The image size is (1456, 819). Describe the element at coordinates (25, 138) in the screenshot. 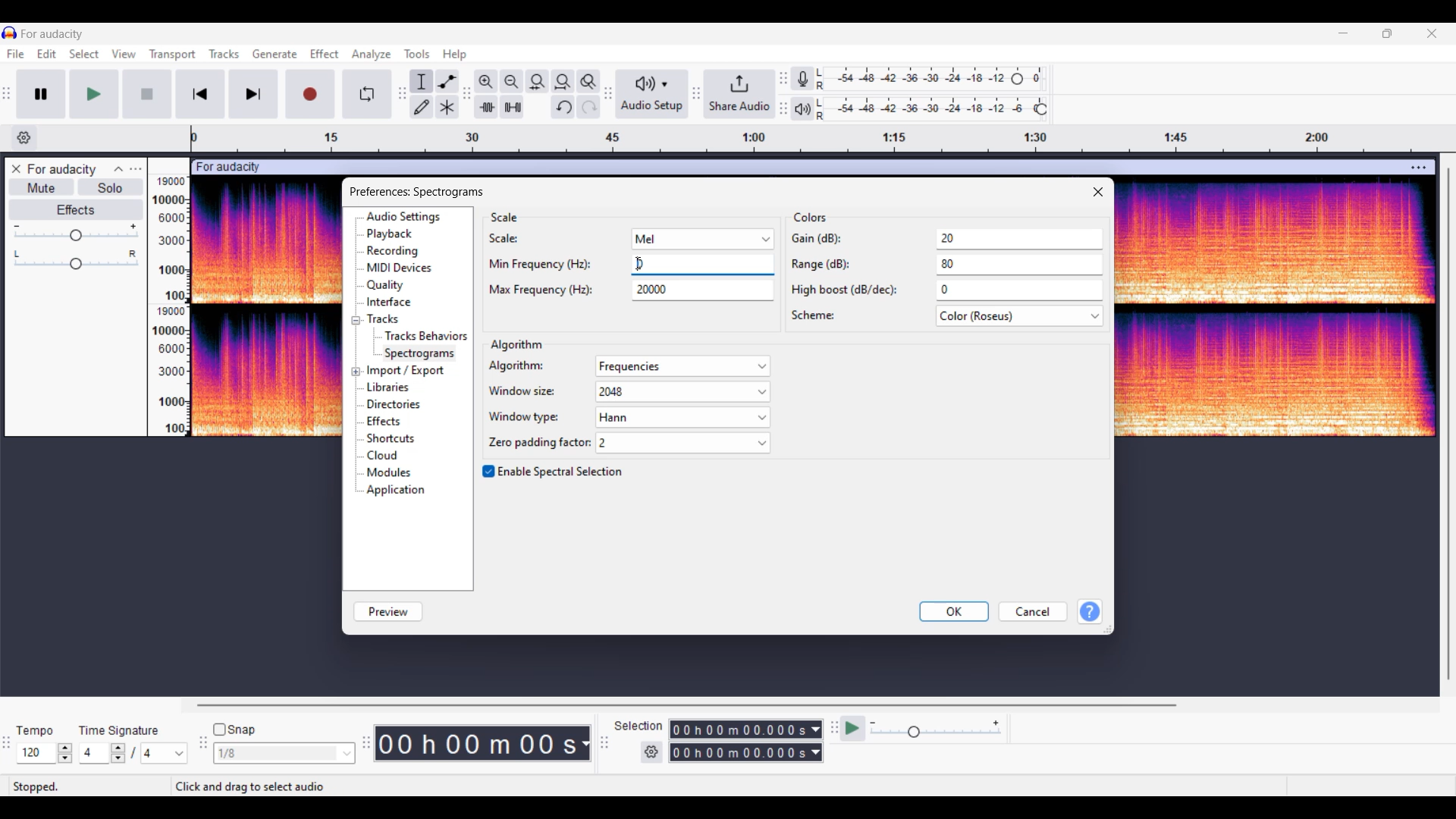

I see `Timeline options` at that location.